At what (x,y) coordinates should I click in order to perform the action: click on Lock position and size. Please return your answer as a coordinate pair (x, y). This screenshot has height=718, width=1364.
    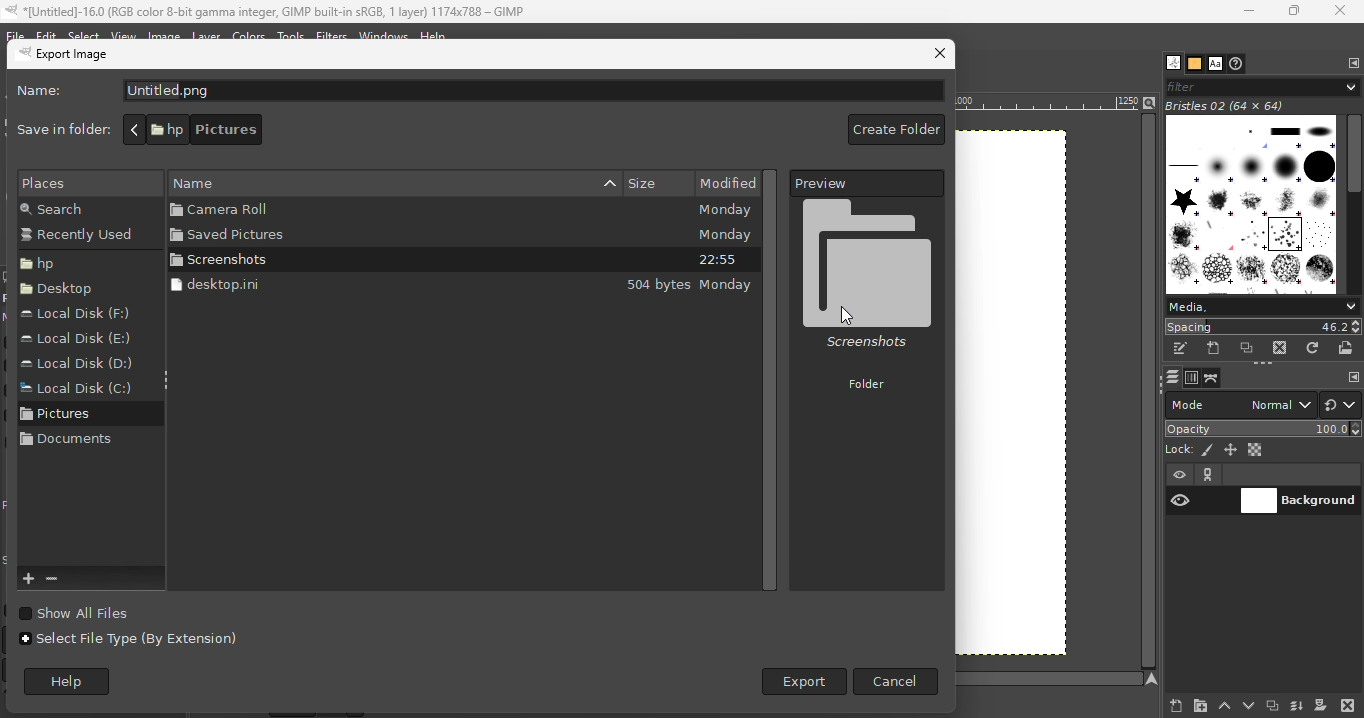
    Looking at the image, I should click on (1231, 449).